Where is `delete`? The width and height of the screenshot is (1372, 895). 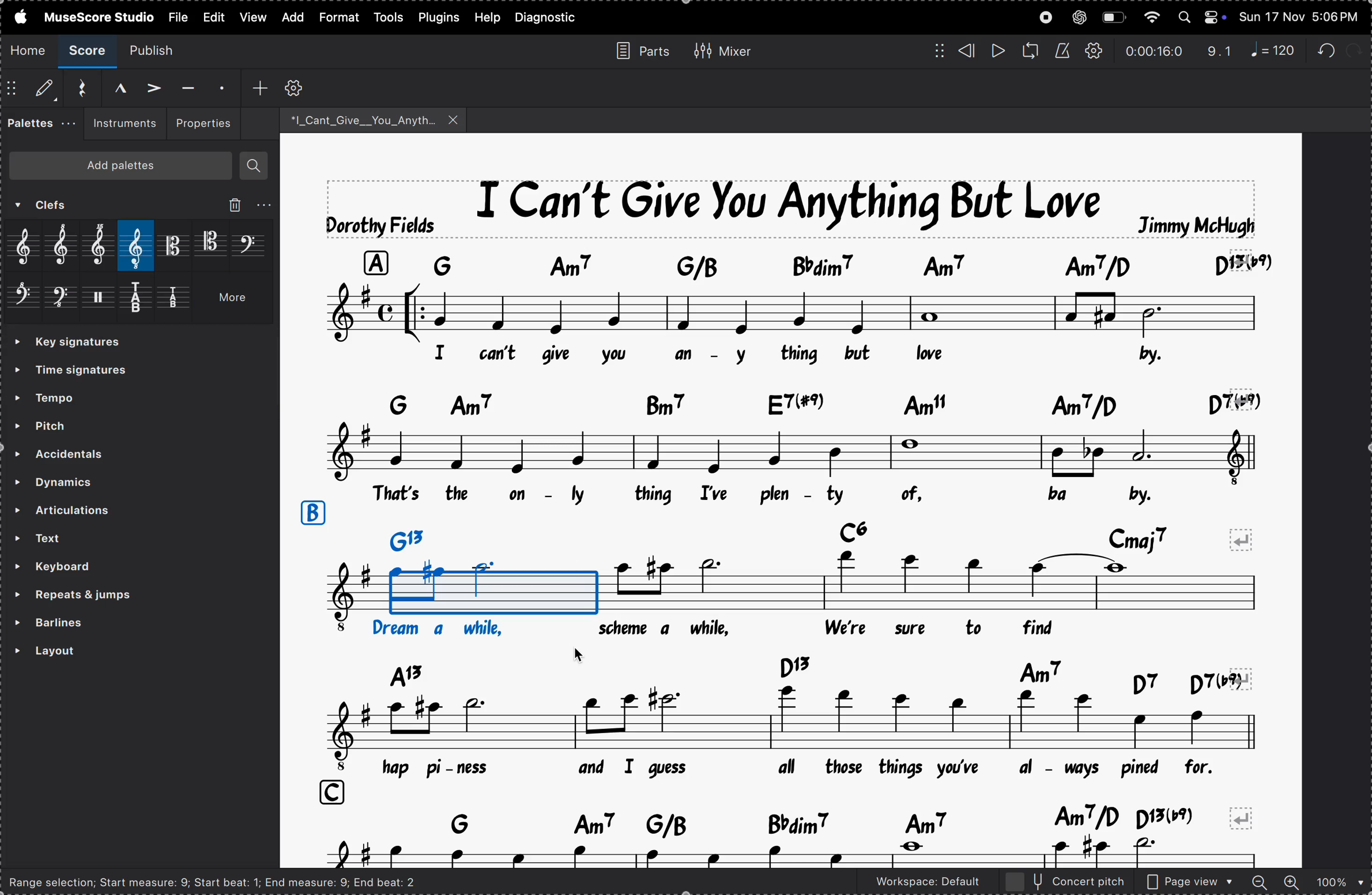
delete is located at coordinates (229, 202).